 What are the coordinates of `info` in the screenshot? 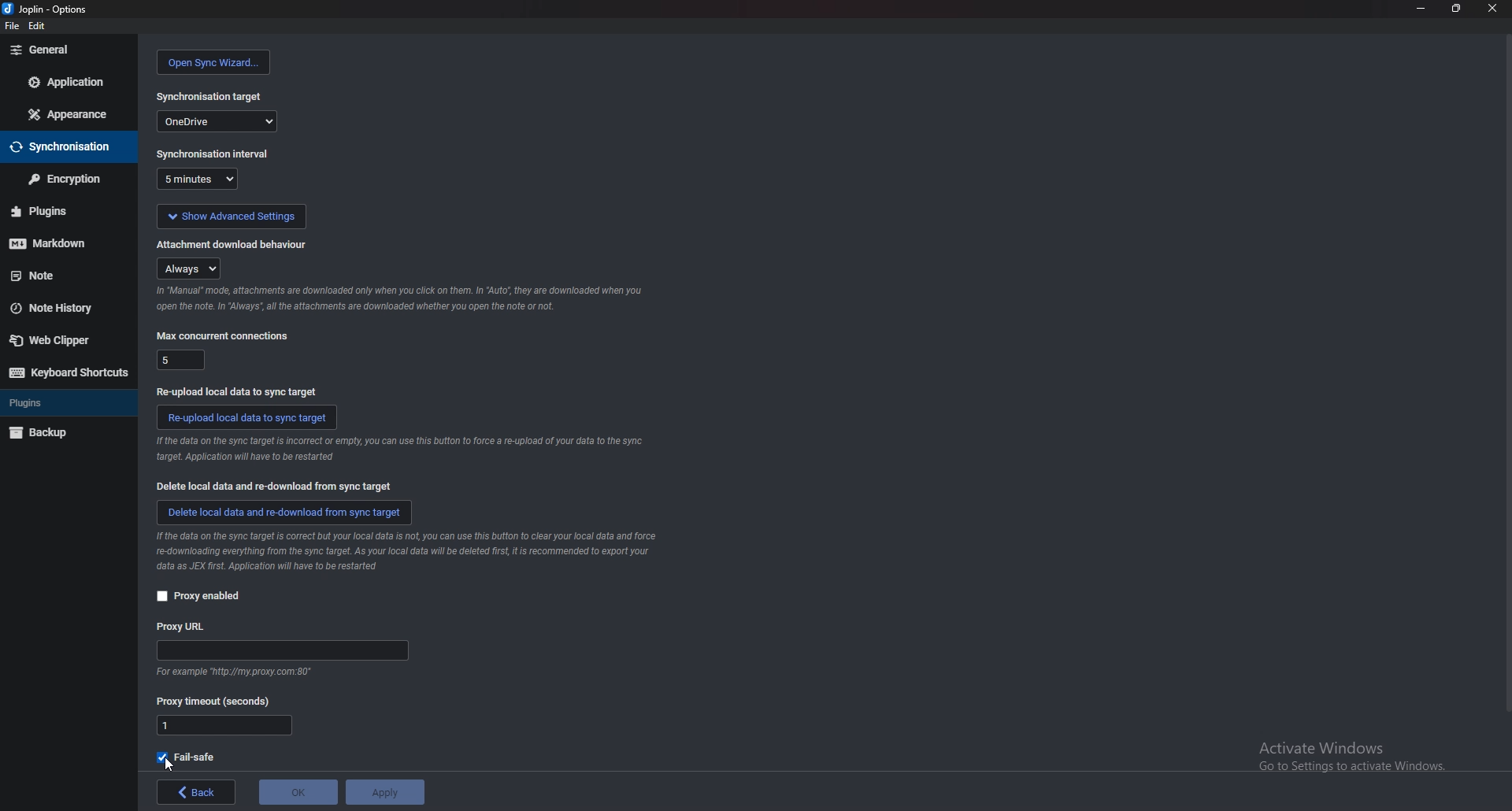 It's located at (404, 551).